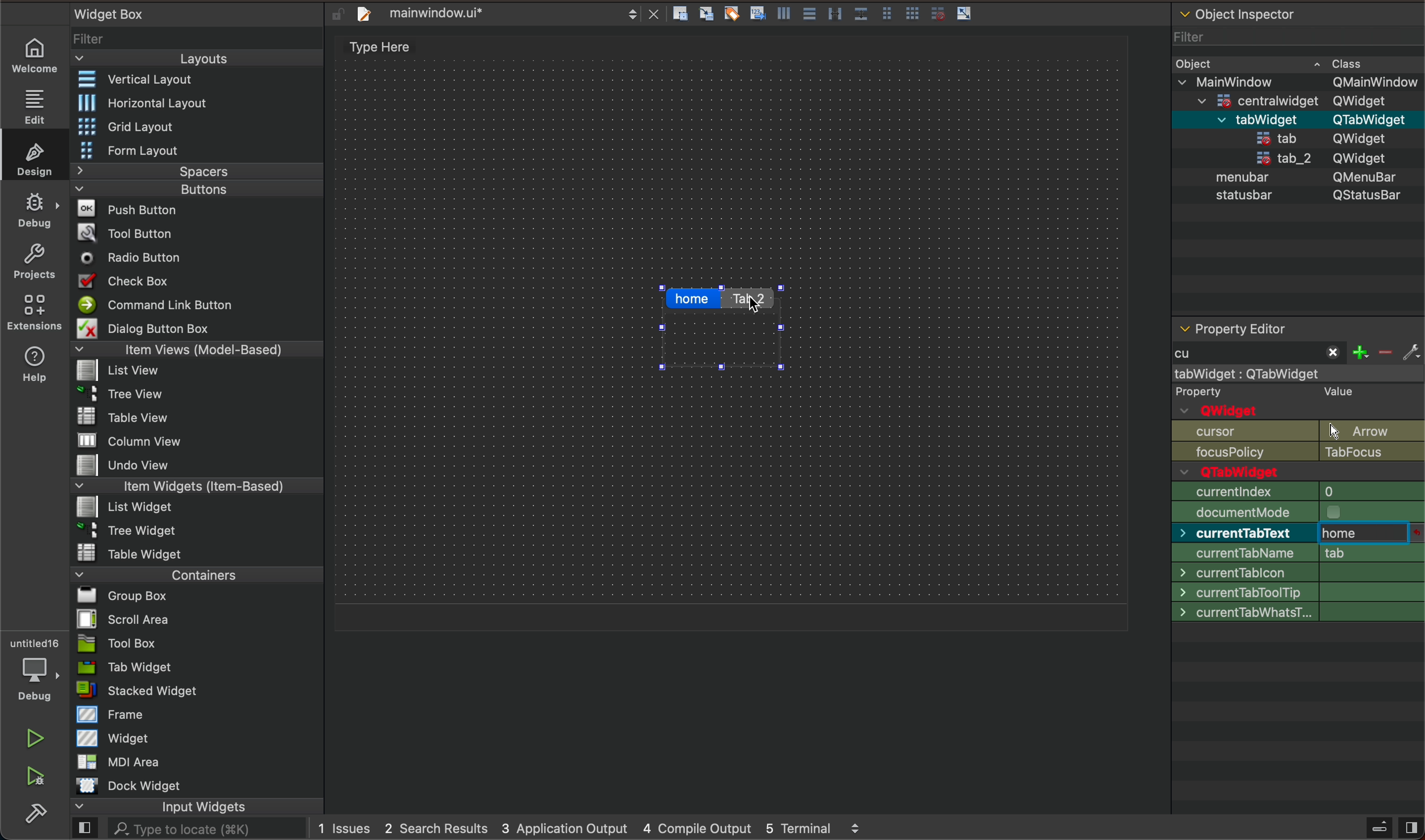 Image resolution: width=1425 pixels, height=840 pixels. I want to click on size policy, so click(1299, 511).